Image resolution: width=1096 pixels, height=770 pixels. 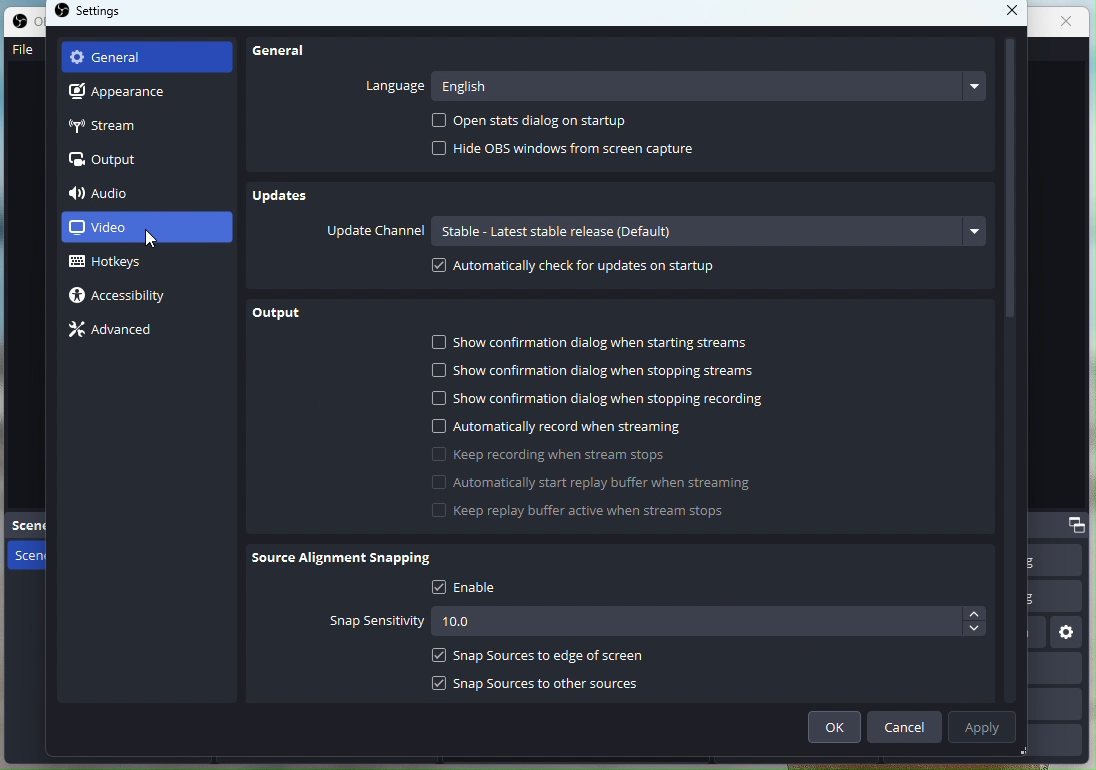 I want to click on File, so click(x=22, y=54).